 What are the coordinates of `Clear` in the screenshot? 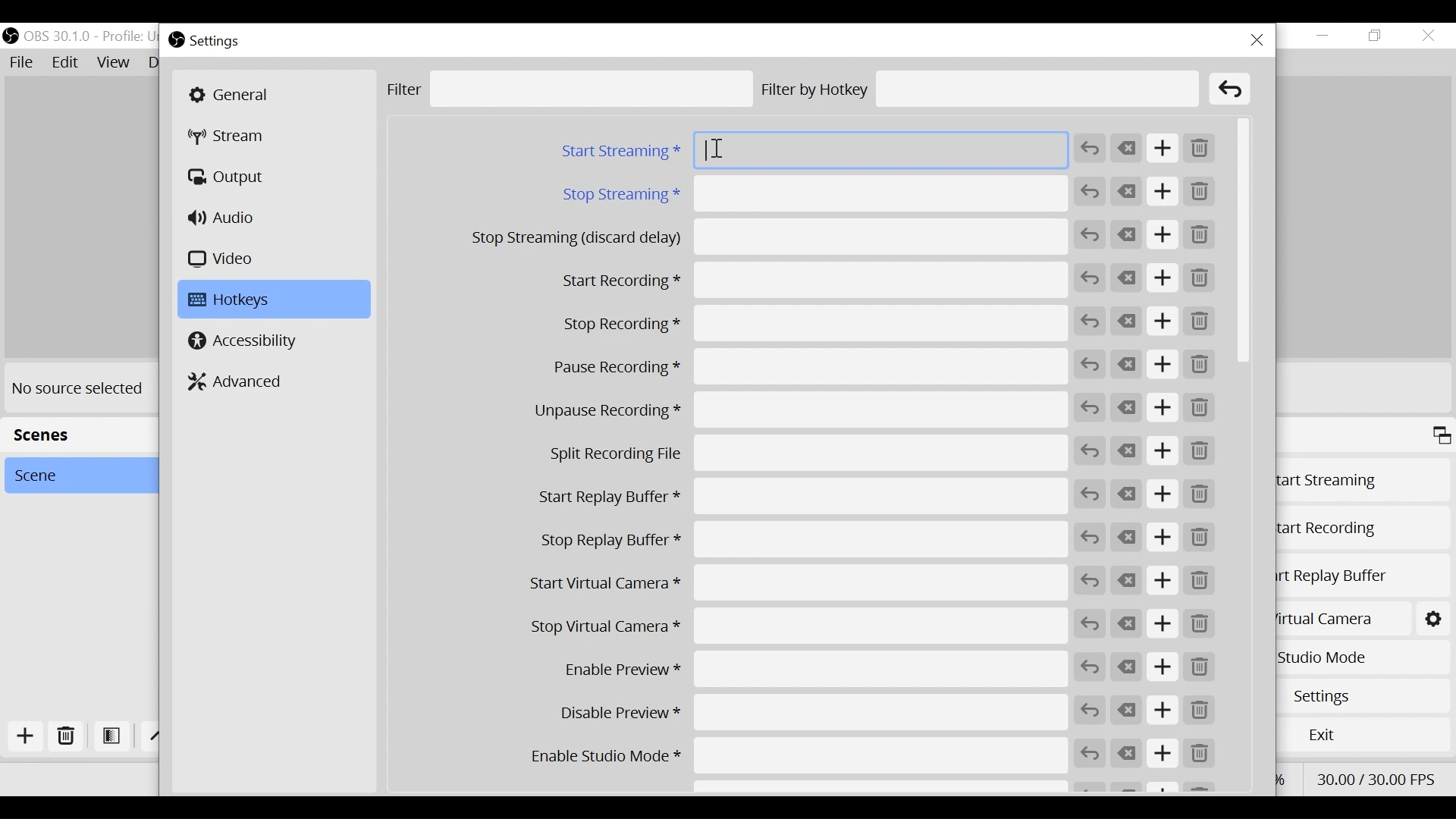 It's located at (1128, 753).